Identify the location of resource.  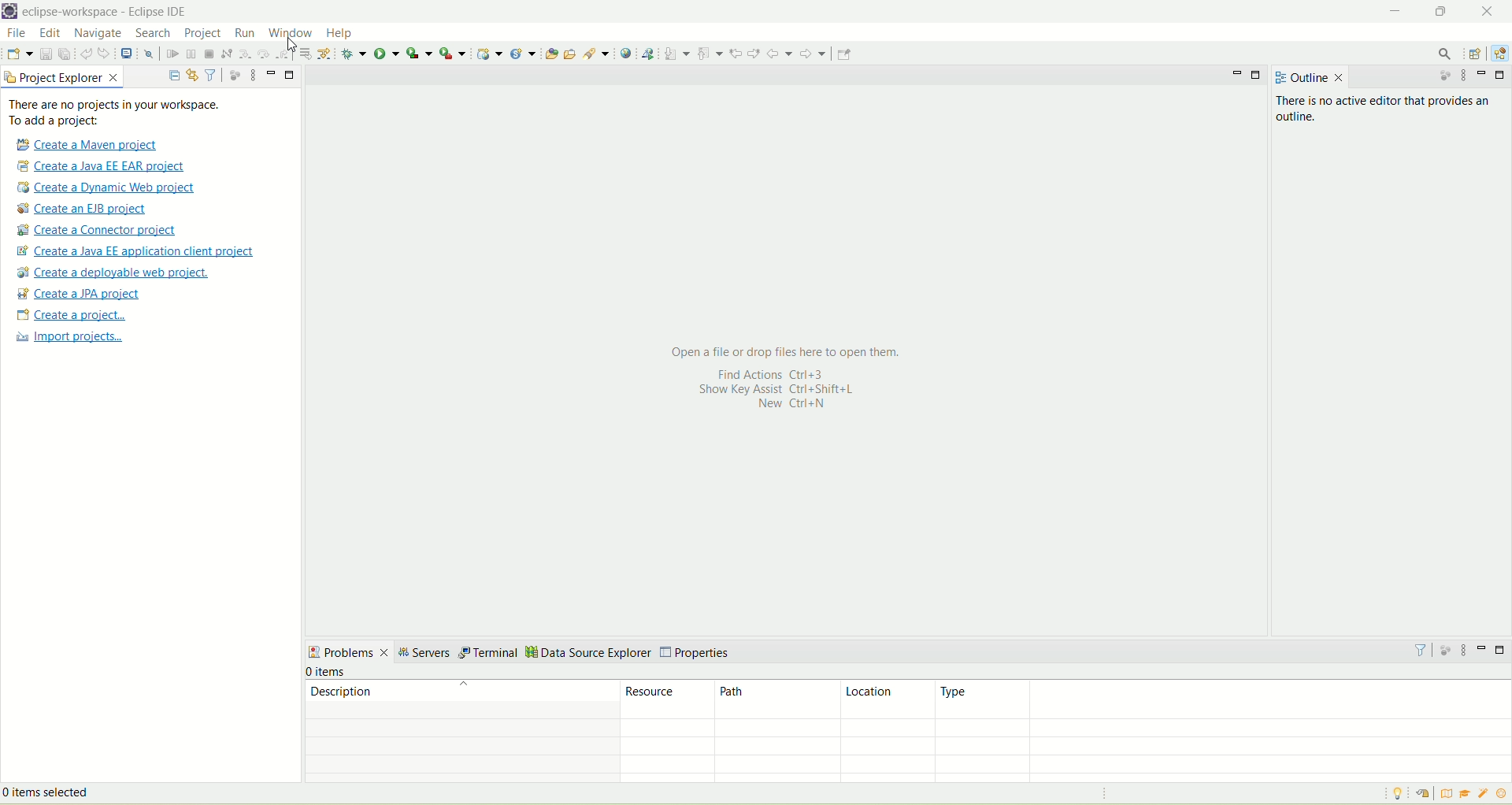
(669, 699).